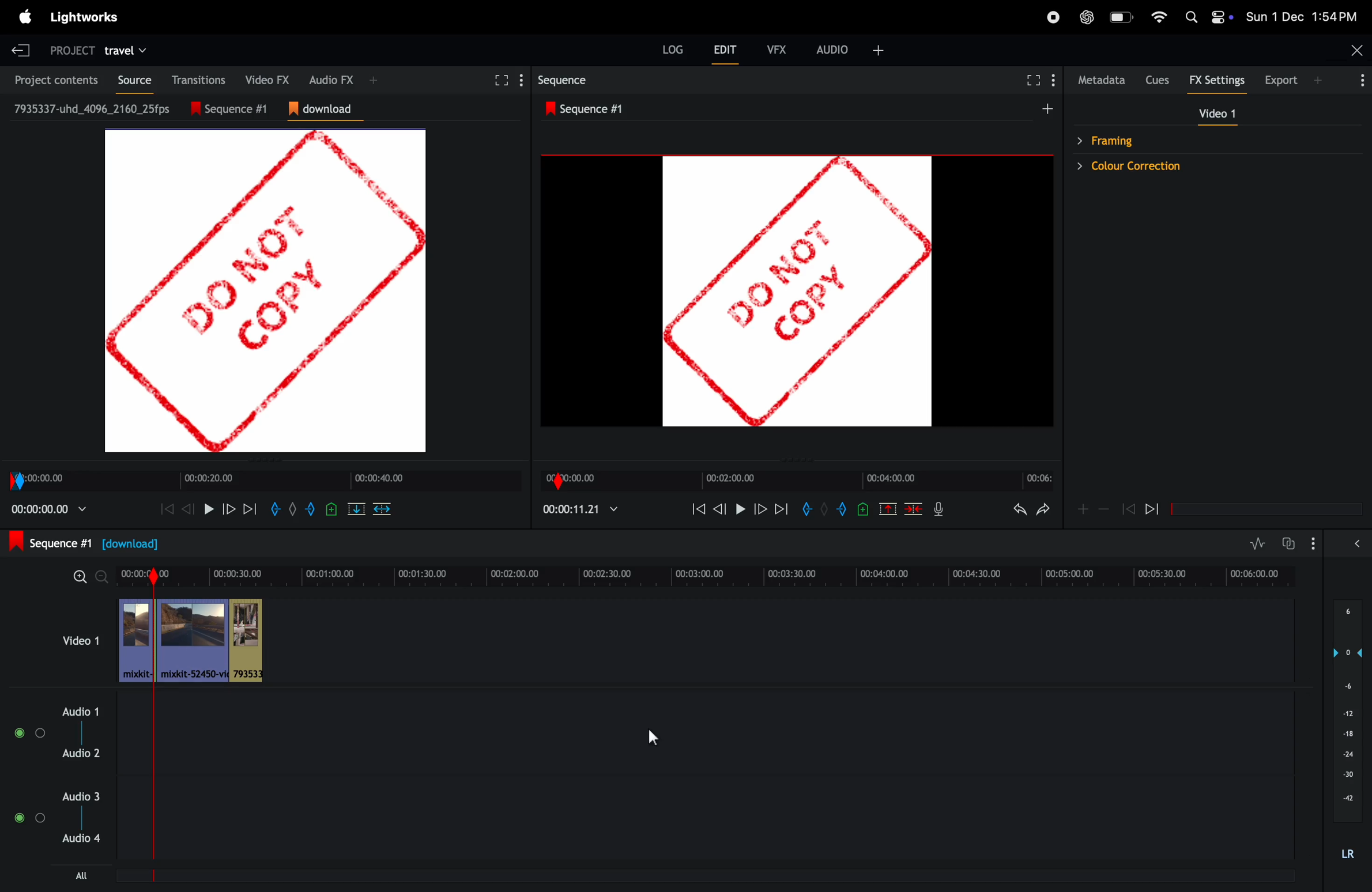 This screenshot has height=892, width=1372. I want to click on bars, so click(31, 733).